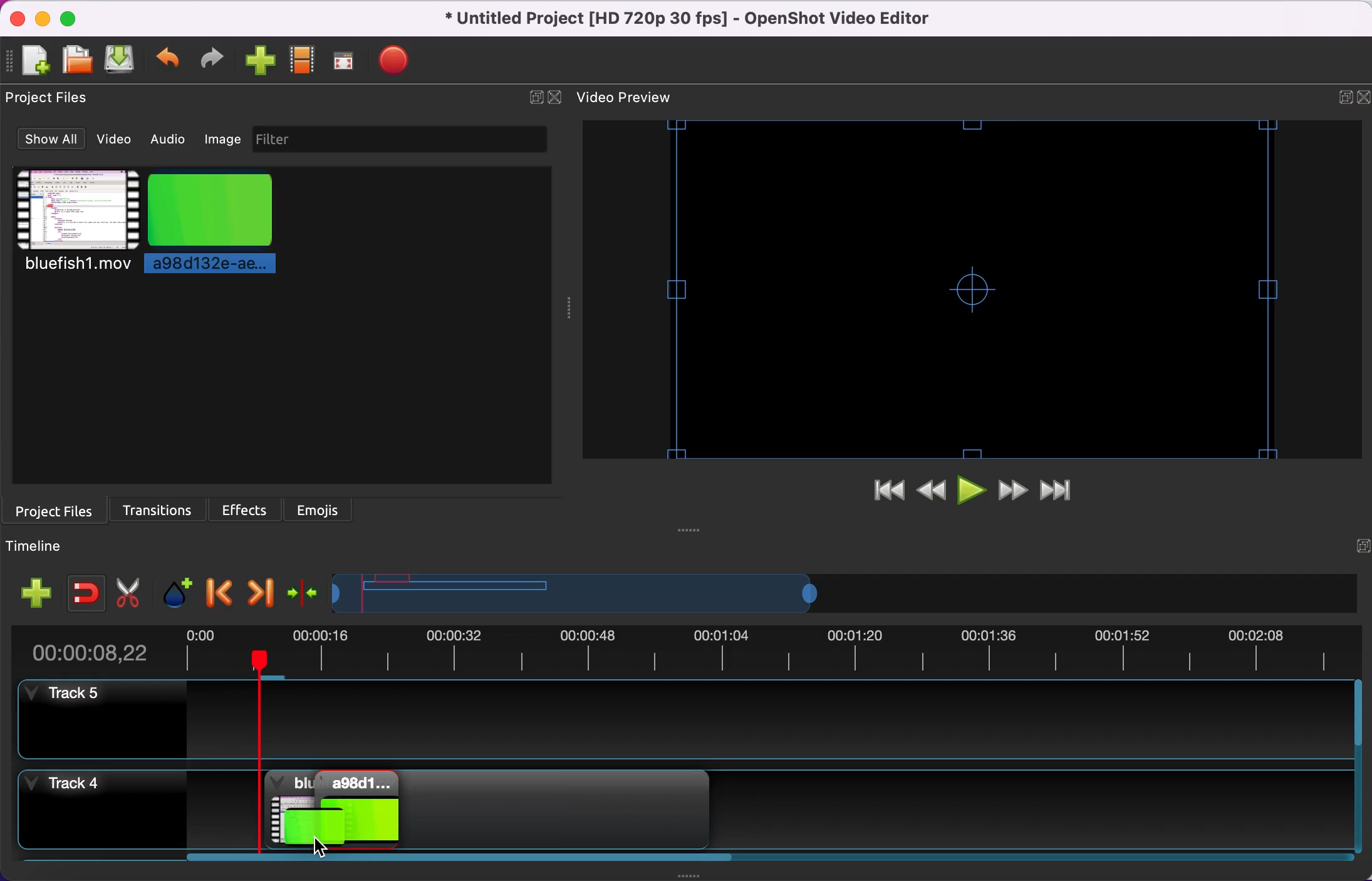  Describe the element at coordinates (42, 18) in the screenshot. I see `minimize` at that location.